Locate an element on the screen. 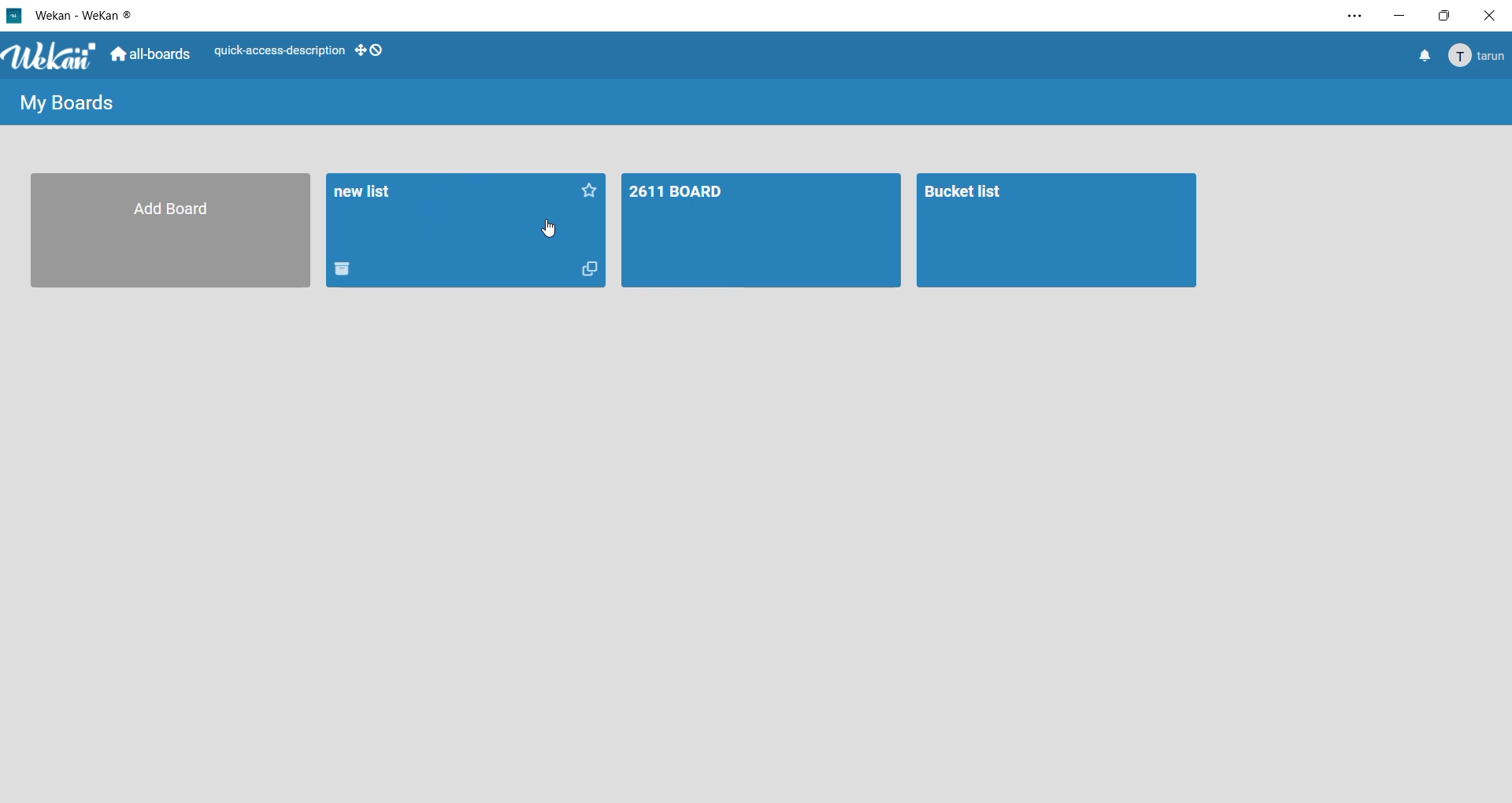 This screenshot has height=803, width=1512. minimize is located at coordinates (1403, 16).